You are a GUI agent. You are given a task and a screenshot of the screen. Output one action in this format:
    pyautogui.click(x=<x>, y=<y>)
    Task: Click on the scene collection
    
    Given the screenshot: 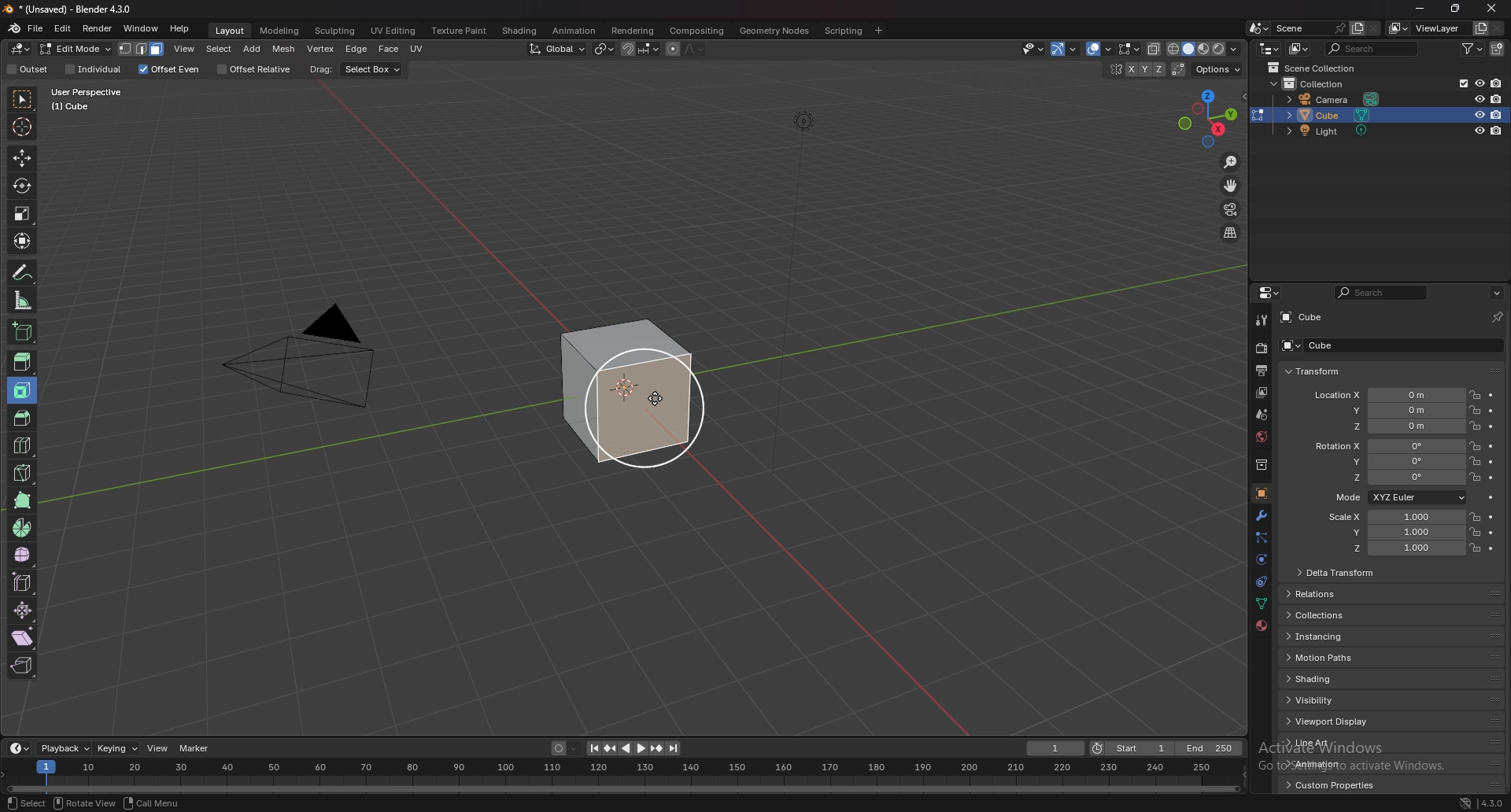 What is the action you would take?
    pyautogui.click(x=1313, y=68)
    